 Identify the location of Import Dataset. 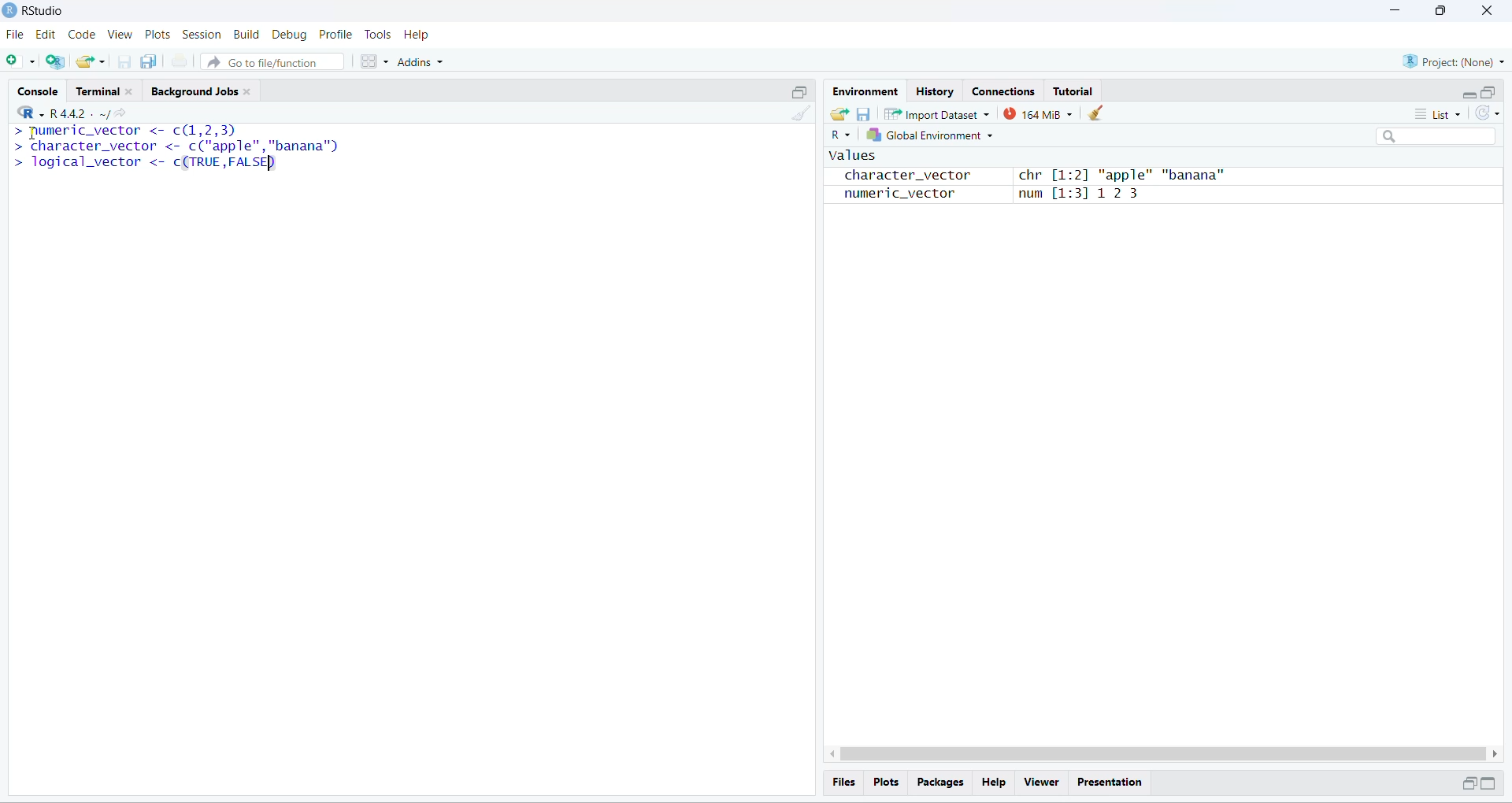
(936, 114).